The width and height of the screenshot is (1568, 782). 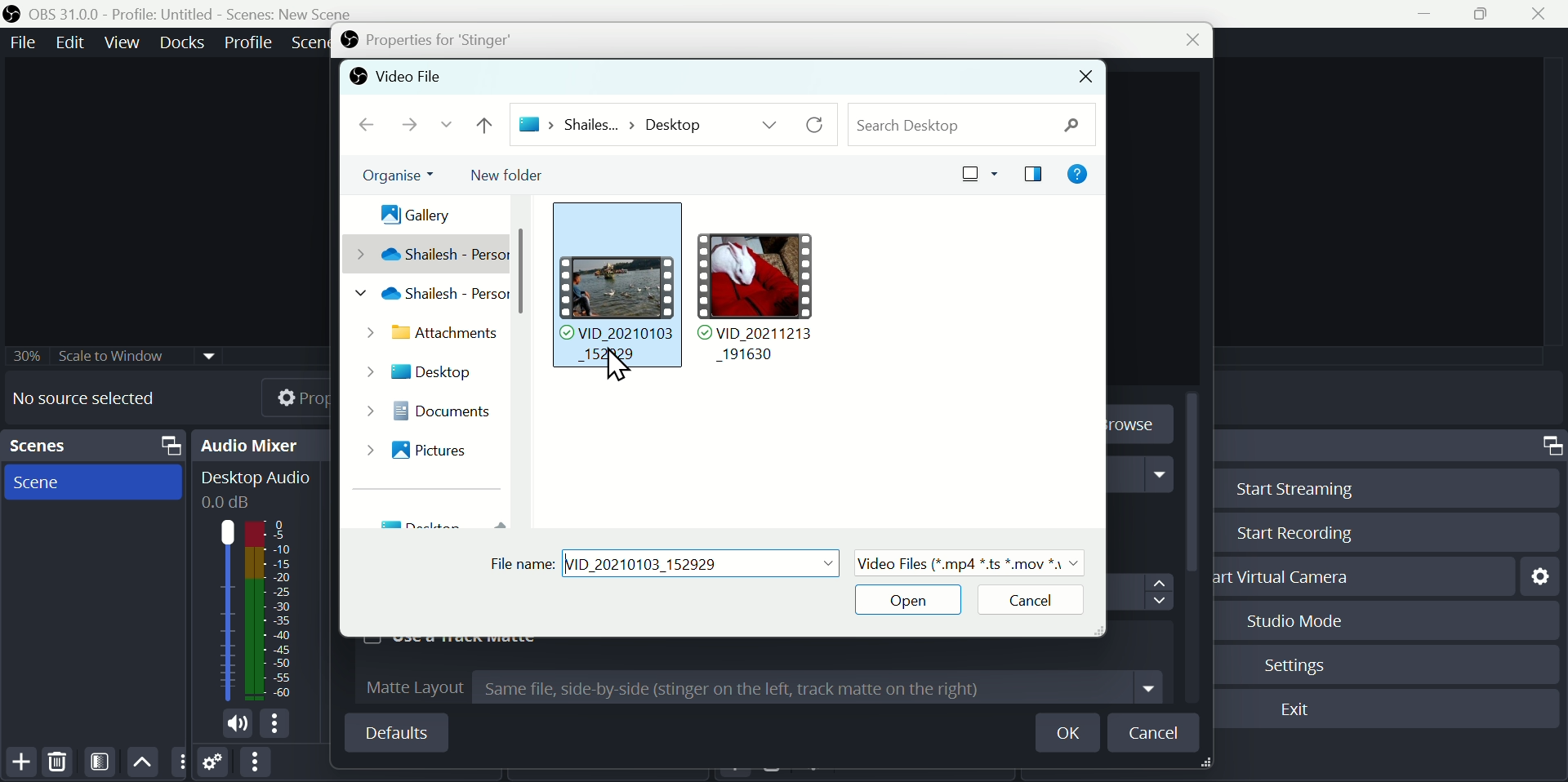 I want to click on Close, so click(x=1185, y=42).